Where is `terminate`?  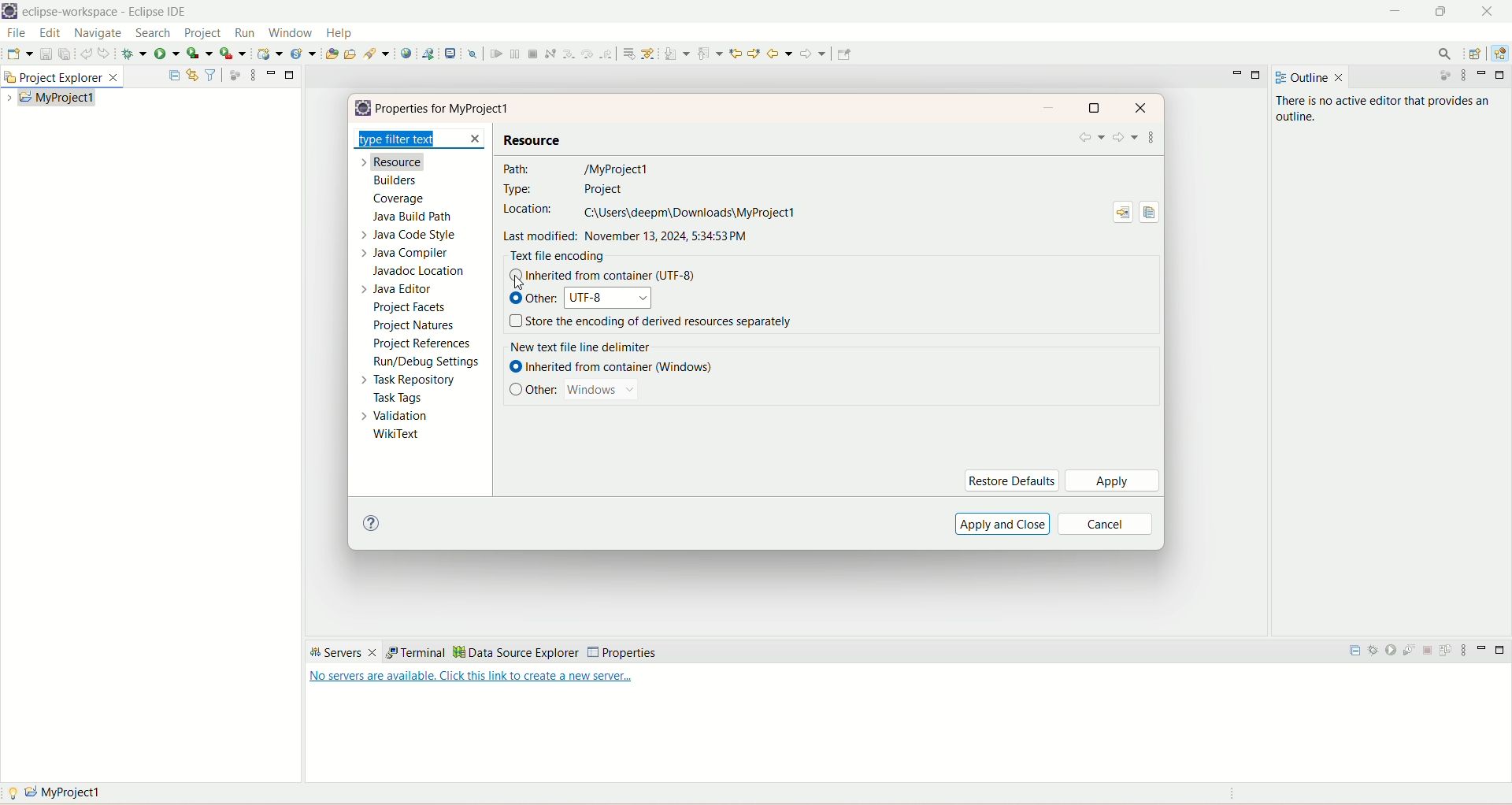 terminate is located at coordinates (534, 54).